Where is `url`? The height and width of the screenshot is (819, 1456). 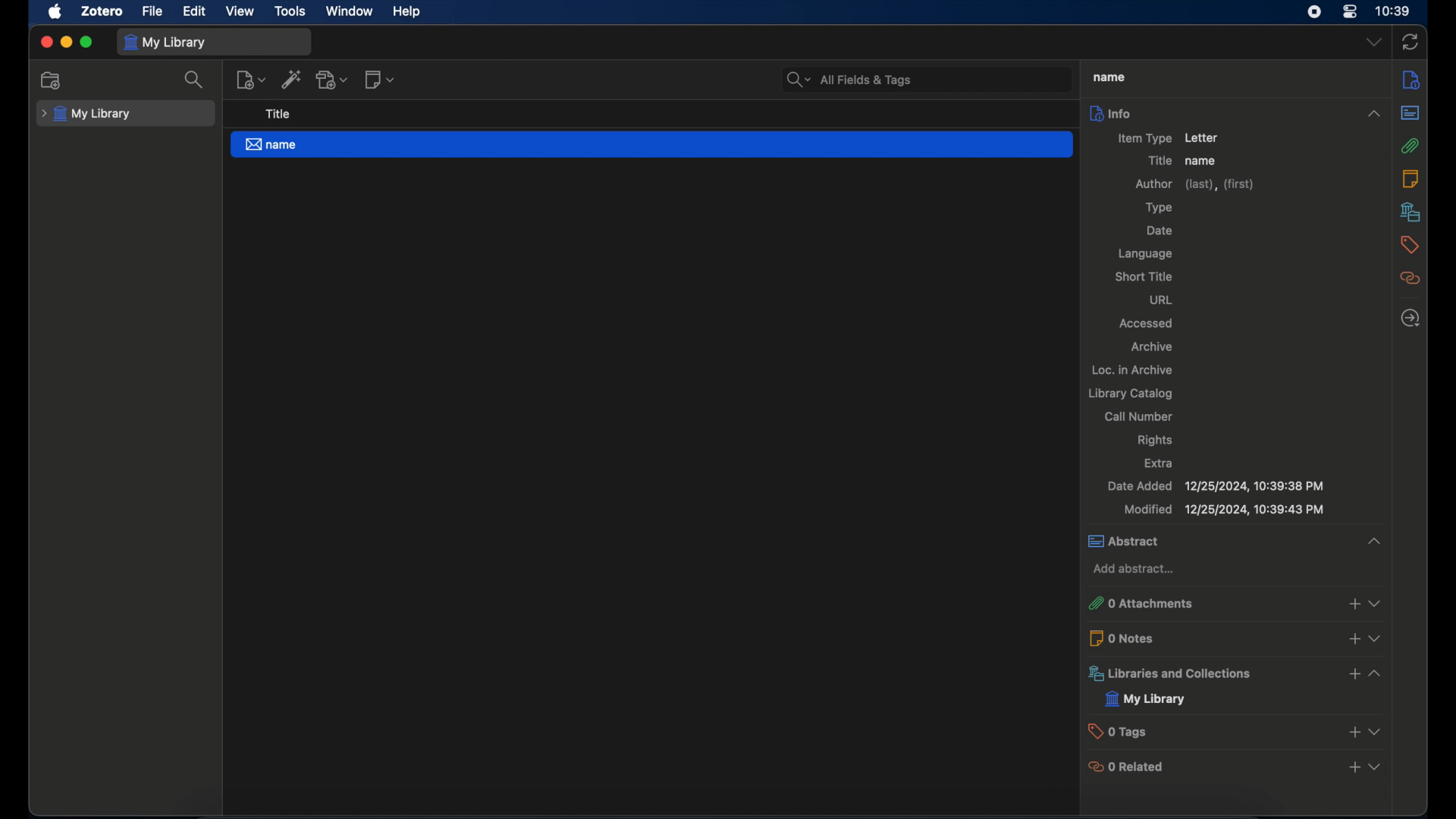
url is located at coordinates (1162, 300).